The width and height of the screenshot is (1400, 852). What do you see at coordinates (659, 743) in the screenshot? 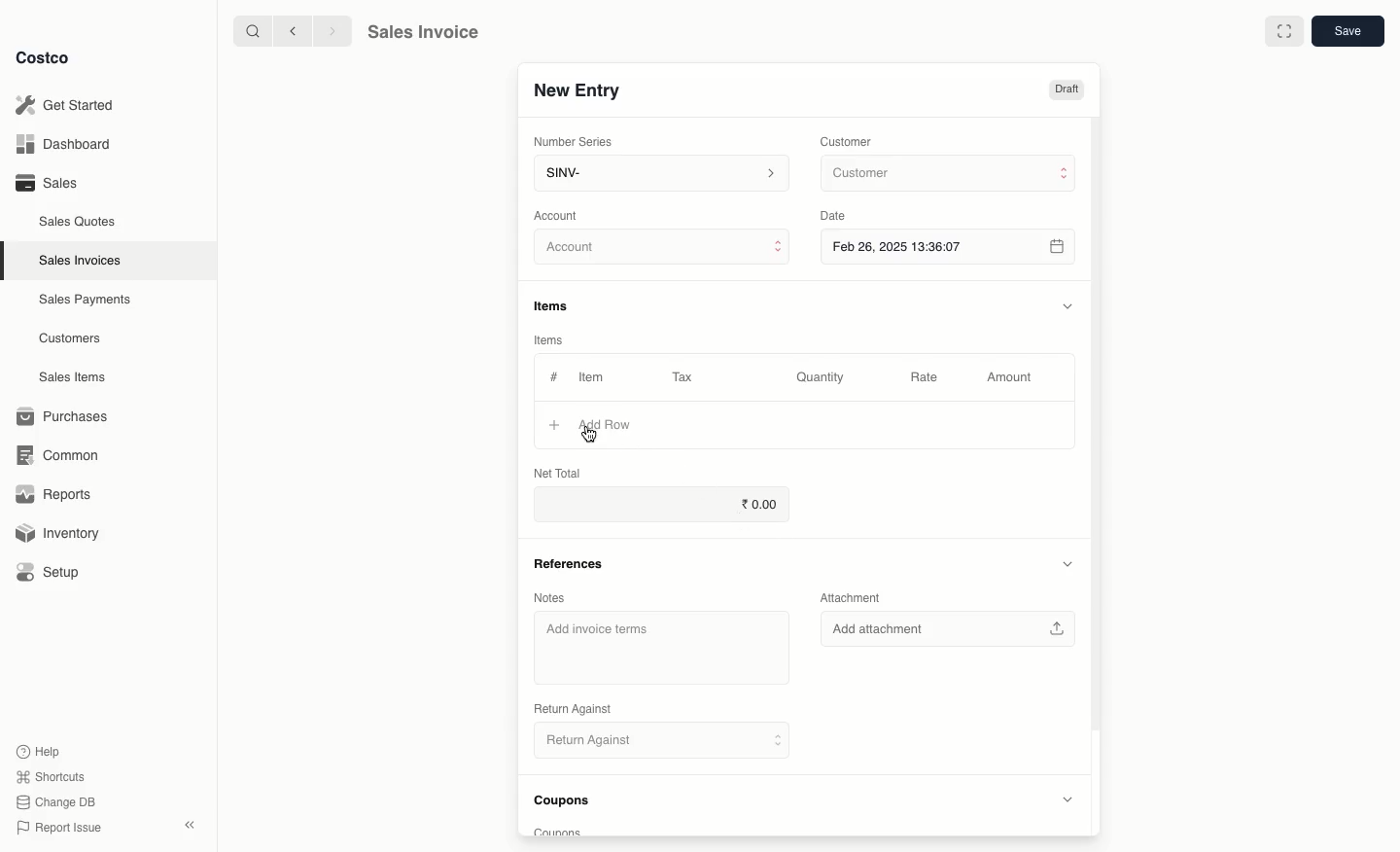
I see `Return Against` at bounding box center [659, 743].